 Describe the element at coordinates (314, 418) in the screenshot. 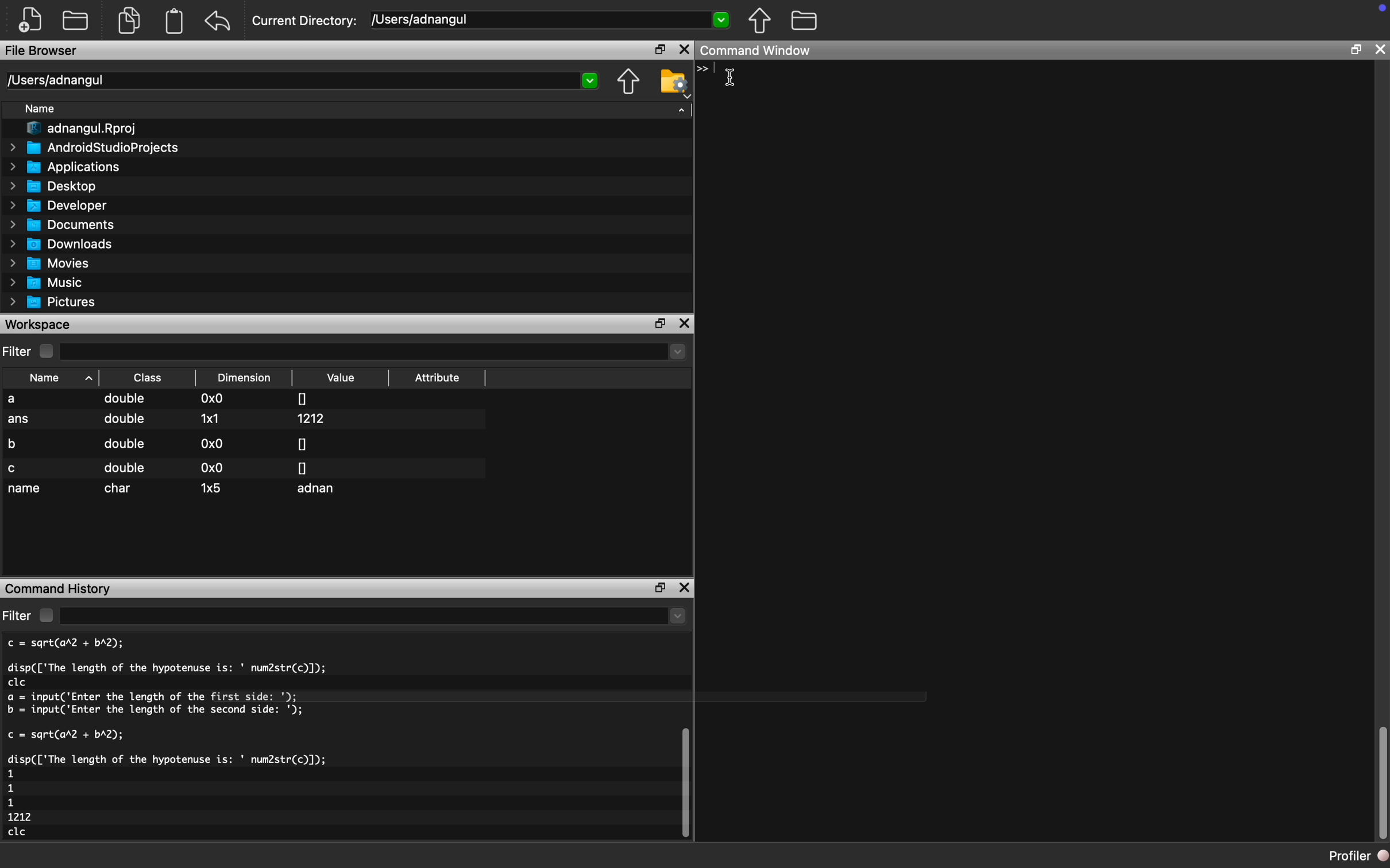

I see `1212` at that location.